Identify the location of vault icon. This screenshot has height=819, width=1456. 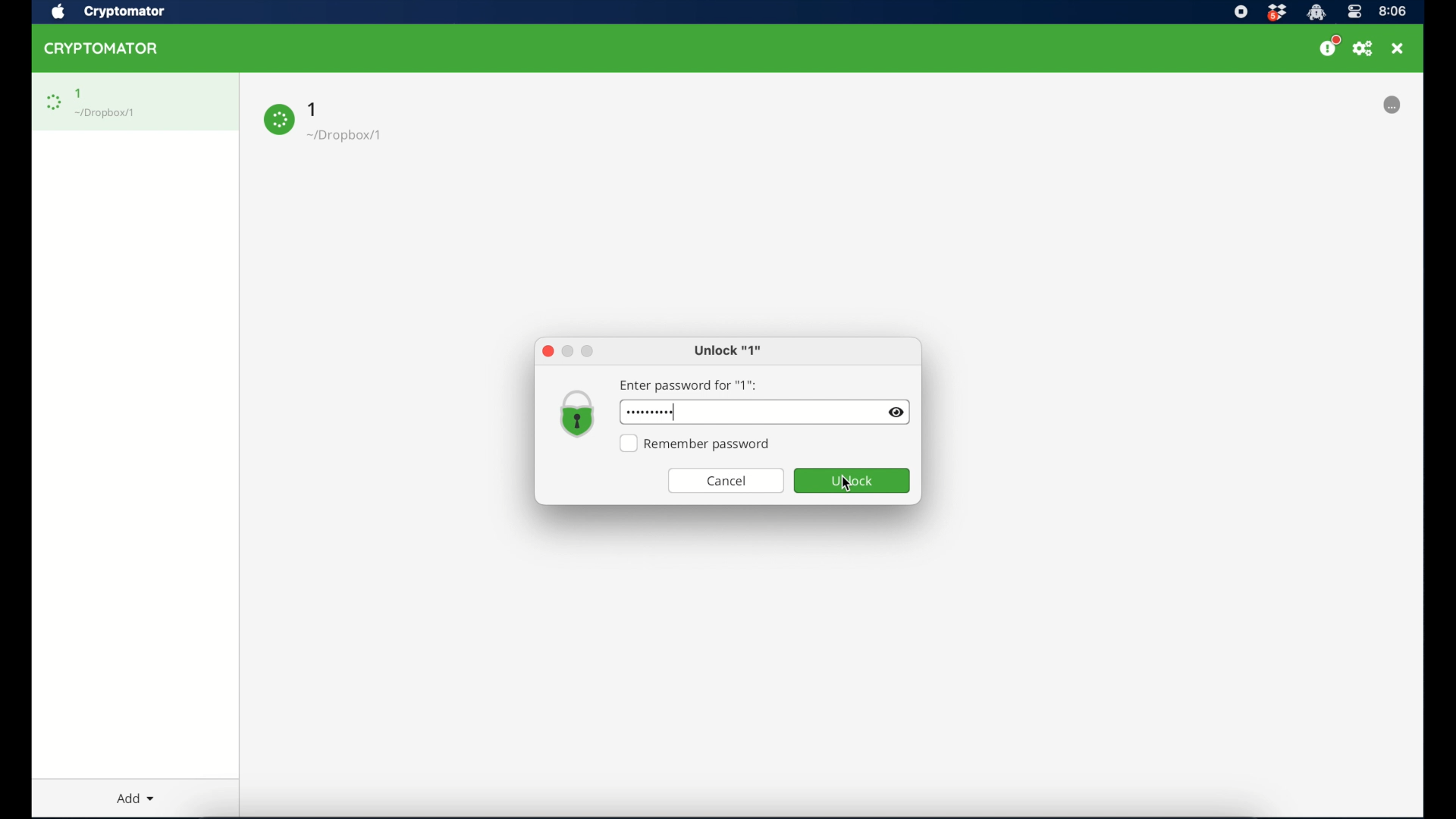
(577, 415).